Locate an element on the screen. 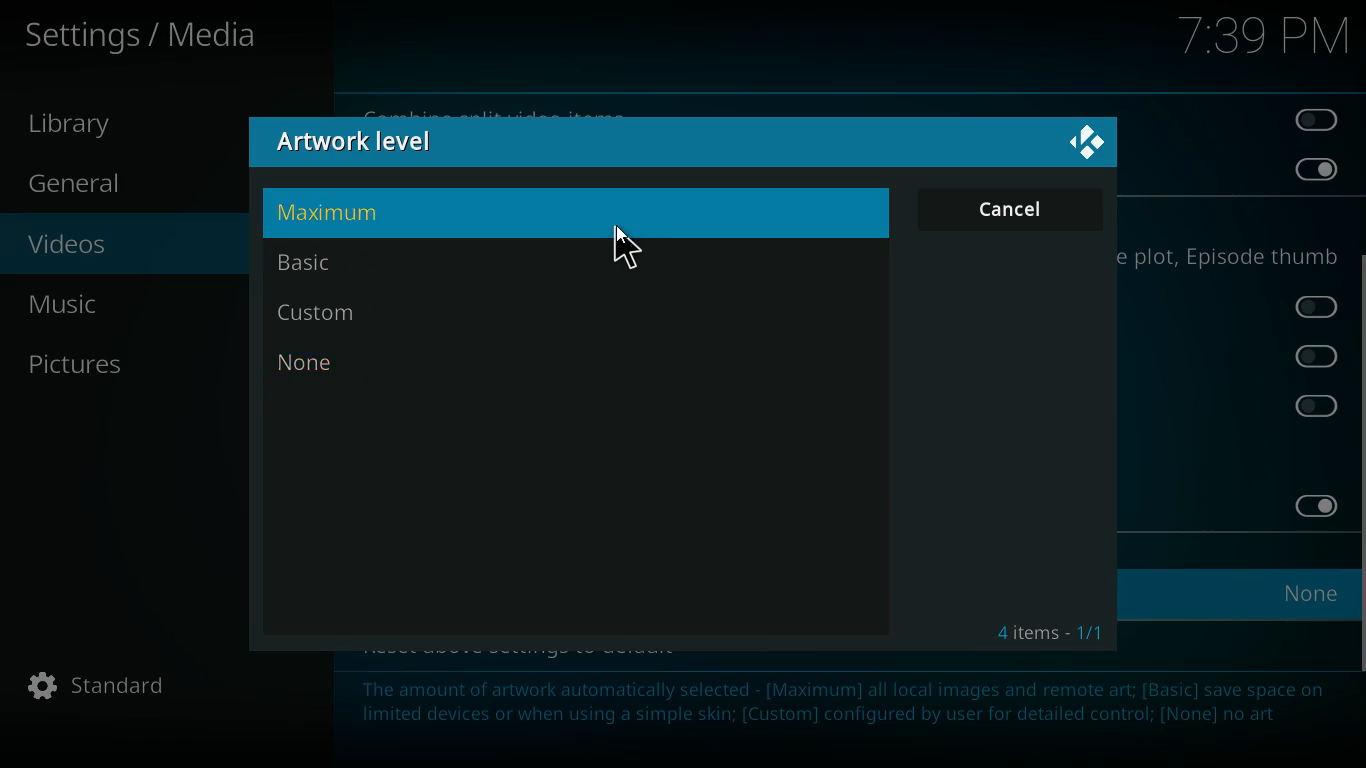  pictures is located at coordinates (114, 363).